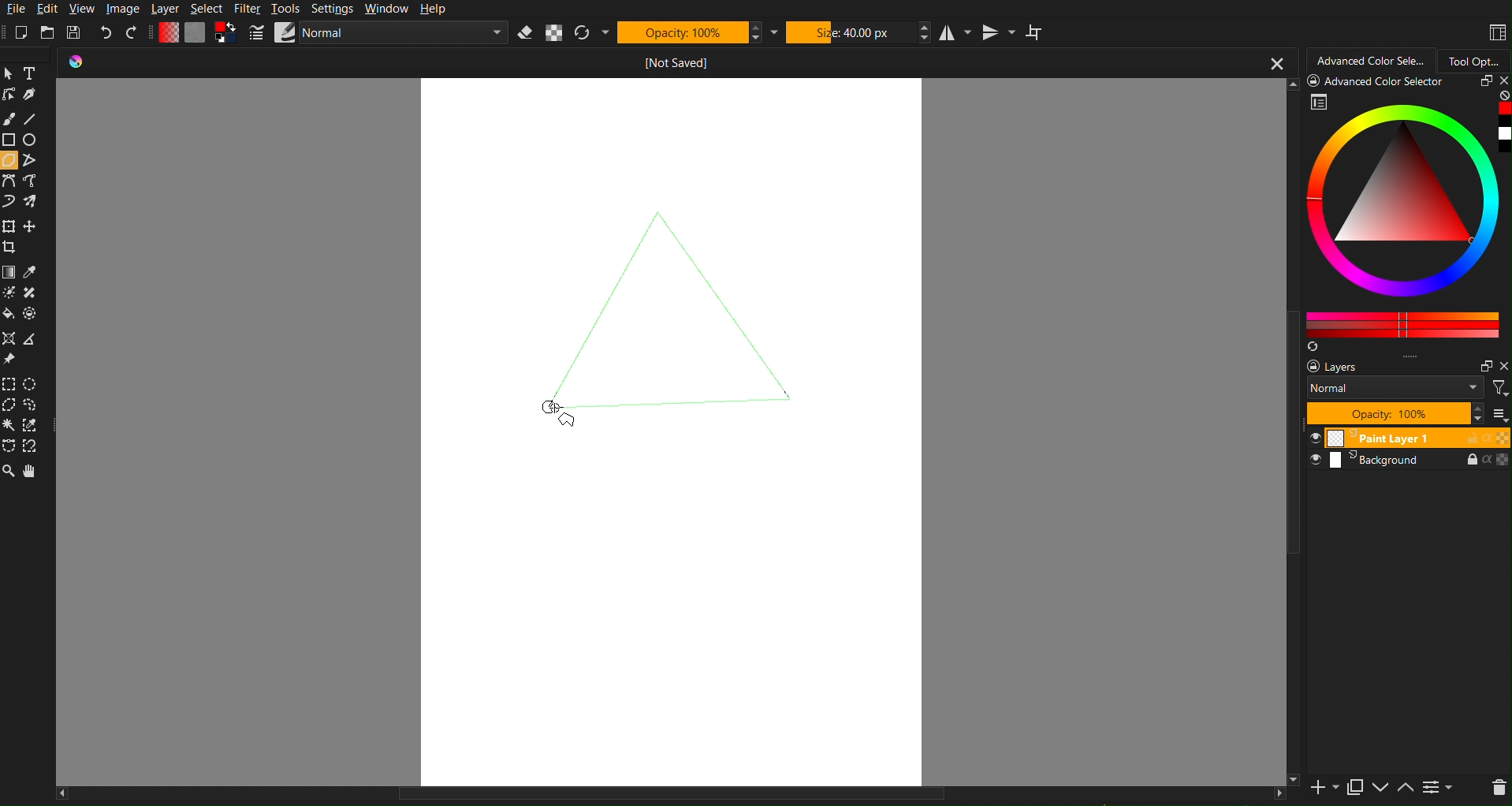  I want to click on rectangular Selection Tools, so click(9, 382).